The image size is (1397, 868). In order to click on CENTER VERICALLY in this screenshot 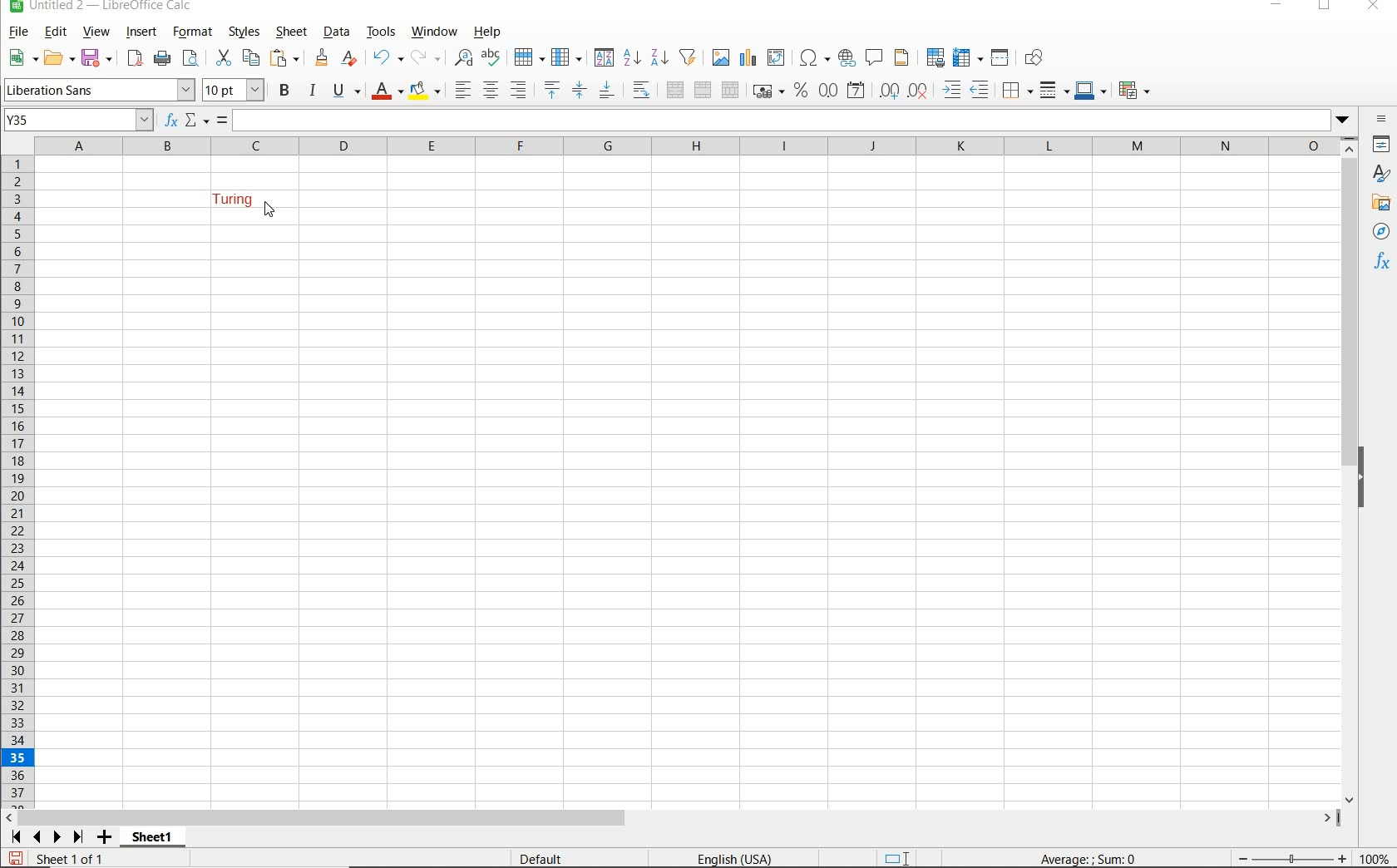, I will do `click(580, 92)`.